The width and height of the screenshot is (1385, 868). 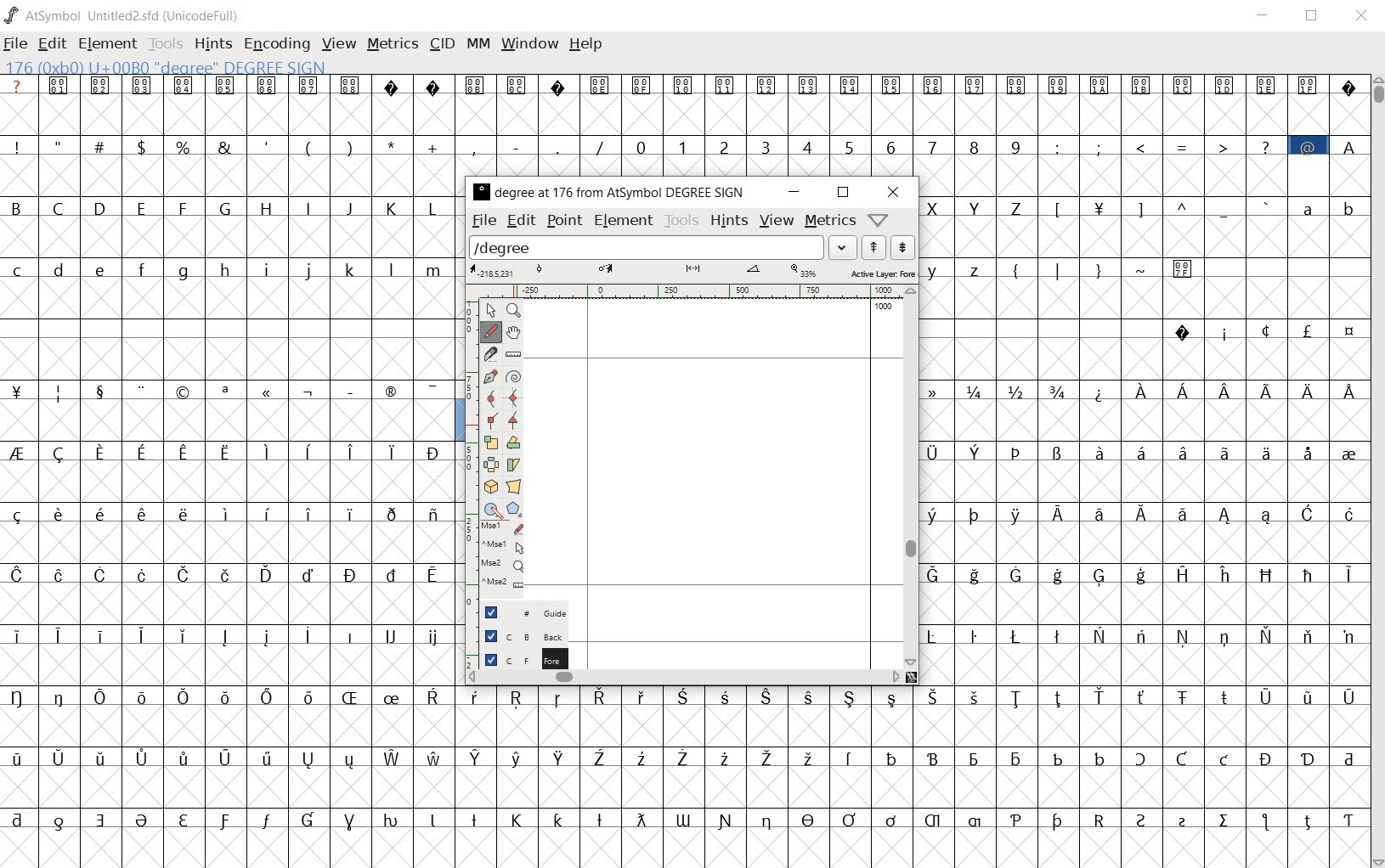 I want to click on file, so click(x=15, y=45).